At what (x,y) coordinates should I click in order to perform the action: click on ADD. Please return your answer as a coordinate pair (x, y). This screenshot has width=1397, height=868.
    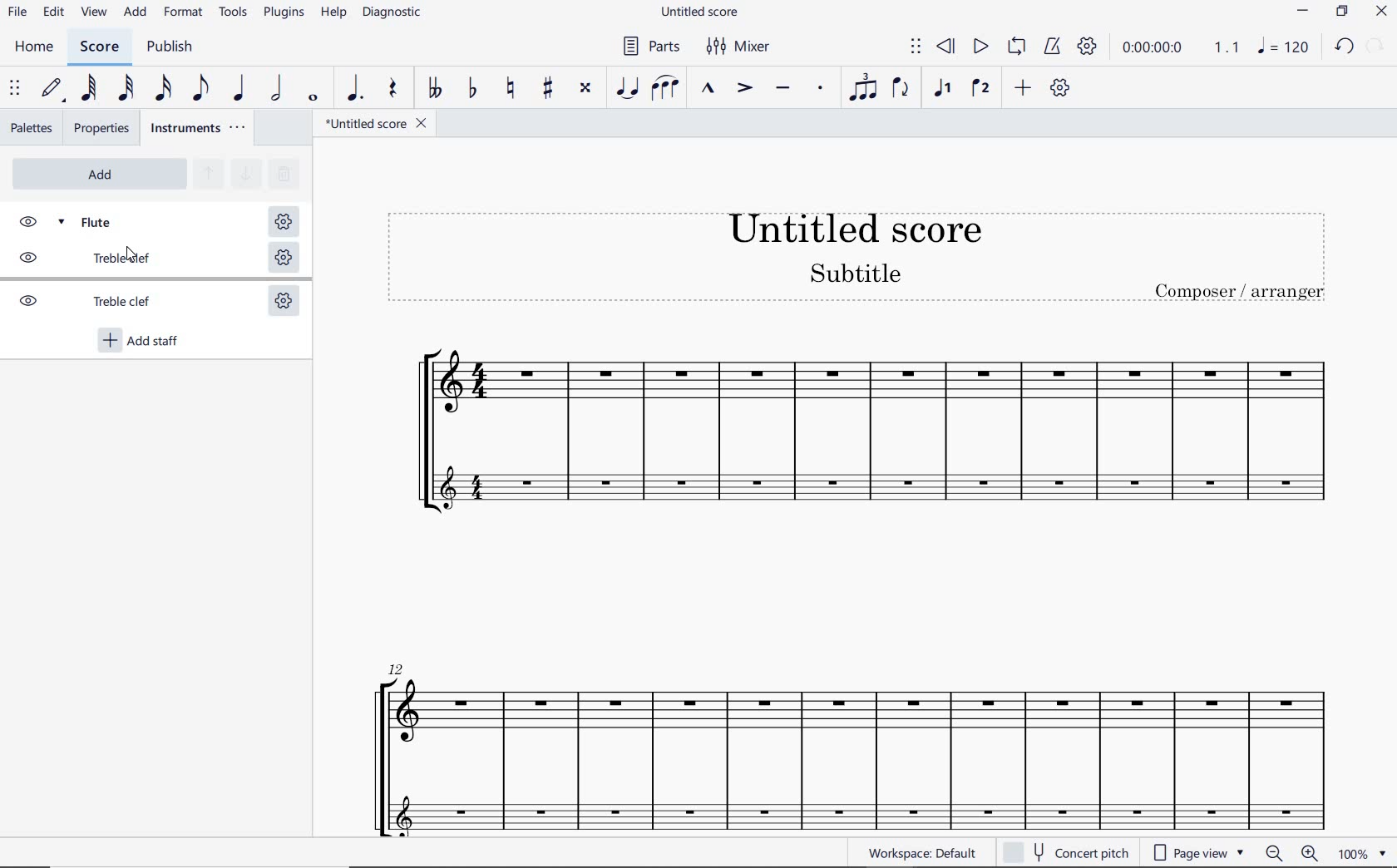
    Looking at the image, I should click on (97, 174).